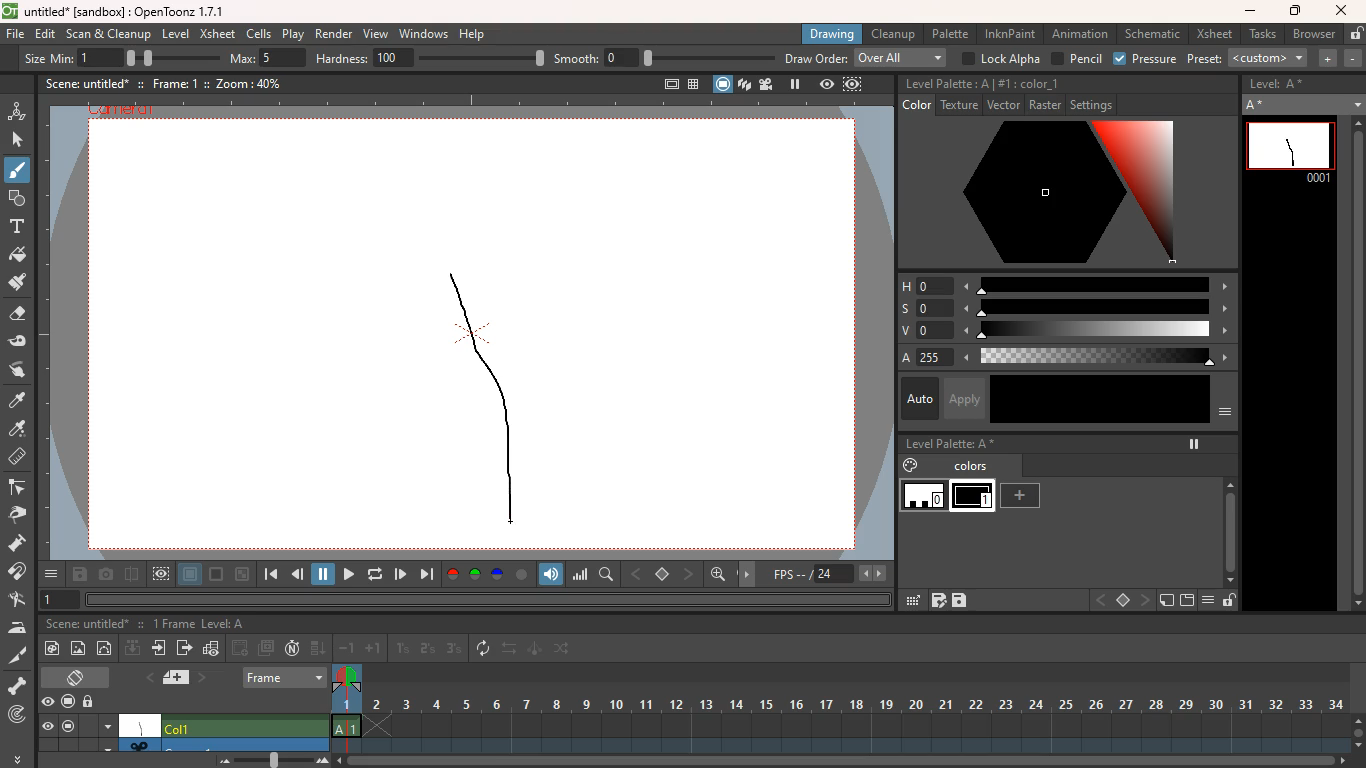 Image resolution: width=1366 pixels, height=768 pixels. Describe the element at coordinates (292, 650) in the screenshot. I see `n` at that location.